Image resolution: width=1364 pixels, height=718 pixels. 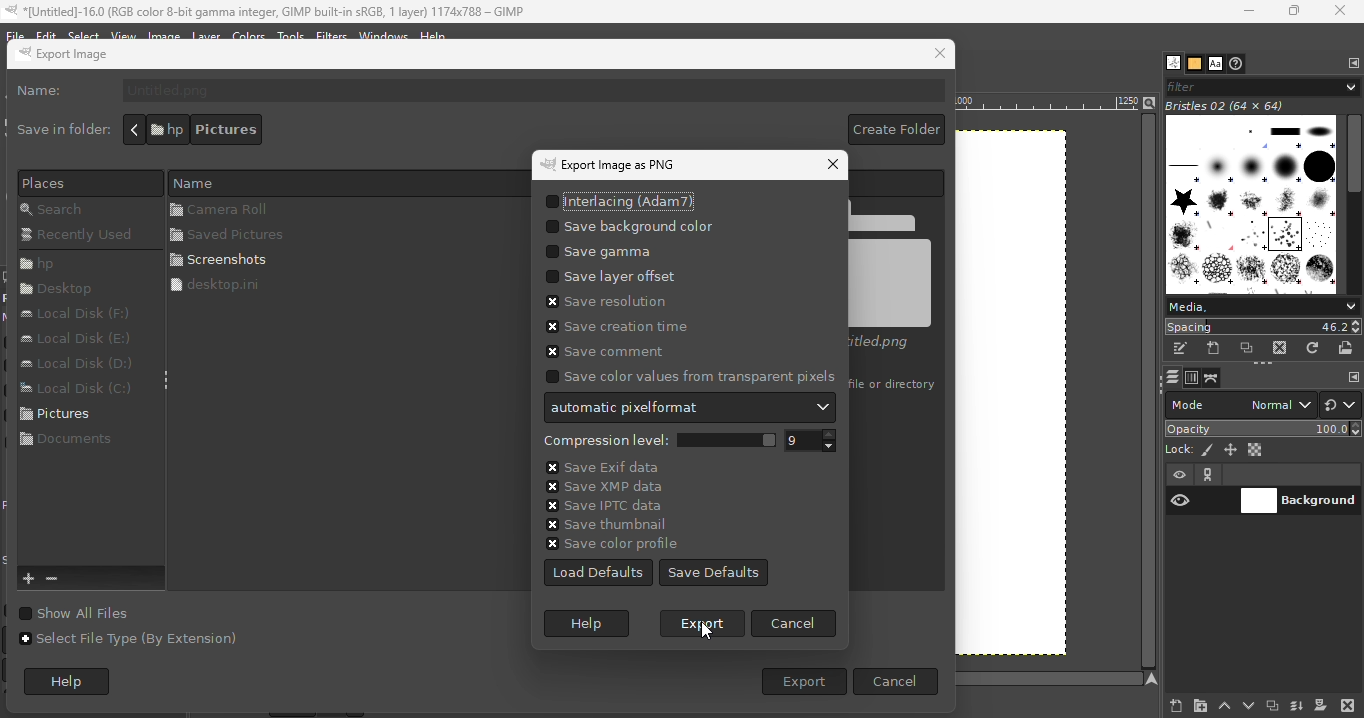 What do you see at coordinates (599, 571) in the screenshot?
I see `Load defaults` at bounding box center [599, 571].